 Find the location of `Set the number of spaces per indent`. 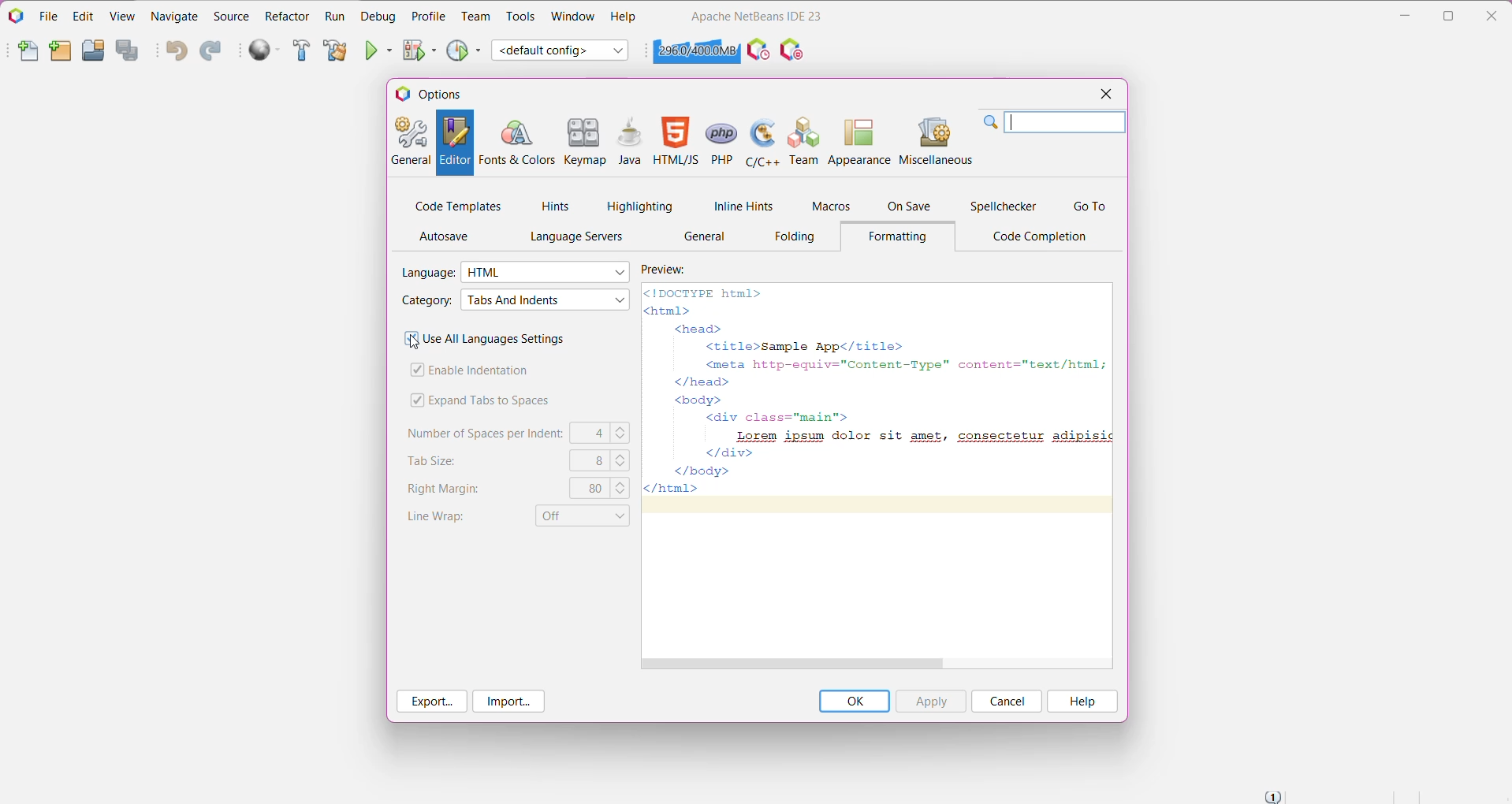

Set the number of spaces per indent is located at coordinates (624, 433).